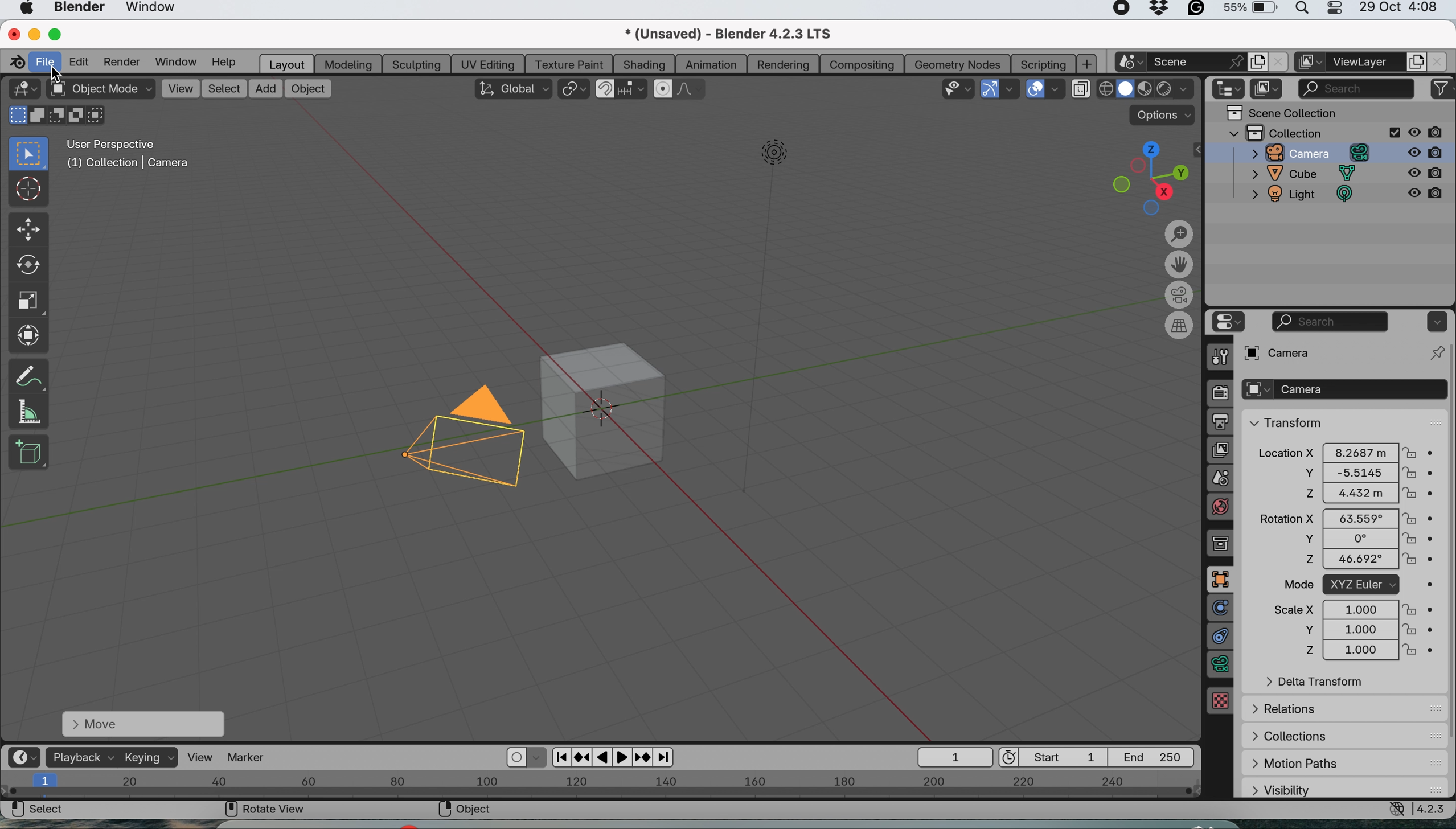  What do you see at coordinates (1147, 89) in the screenshot?
I see `viewport shading` at bounding box center [1147, 89].